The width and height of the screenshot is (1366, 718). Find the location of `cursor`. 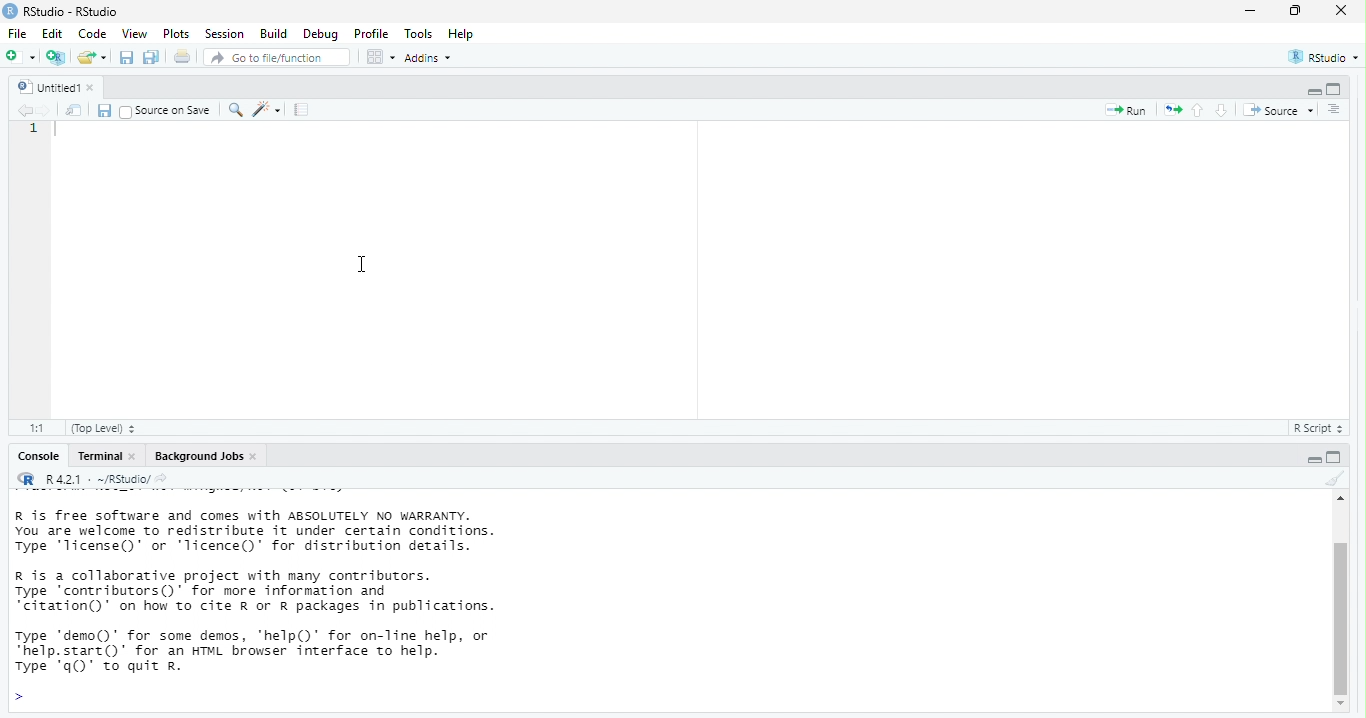

cursor is located at coordinates (366, 262).